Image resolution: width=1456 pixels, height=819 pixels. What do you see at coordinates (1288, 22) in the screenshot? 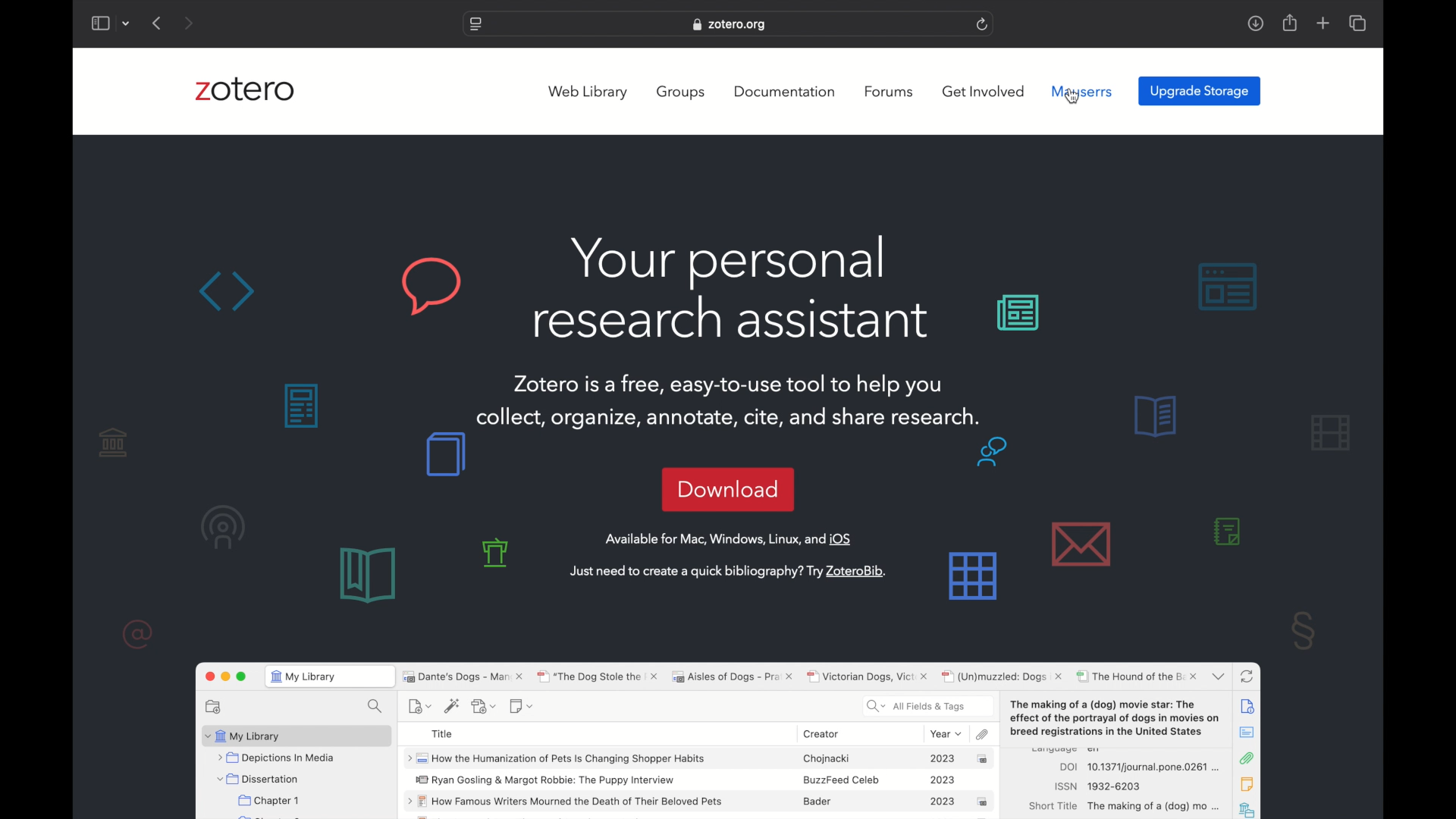
I see `share` at bounding box center [1288, 22].